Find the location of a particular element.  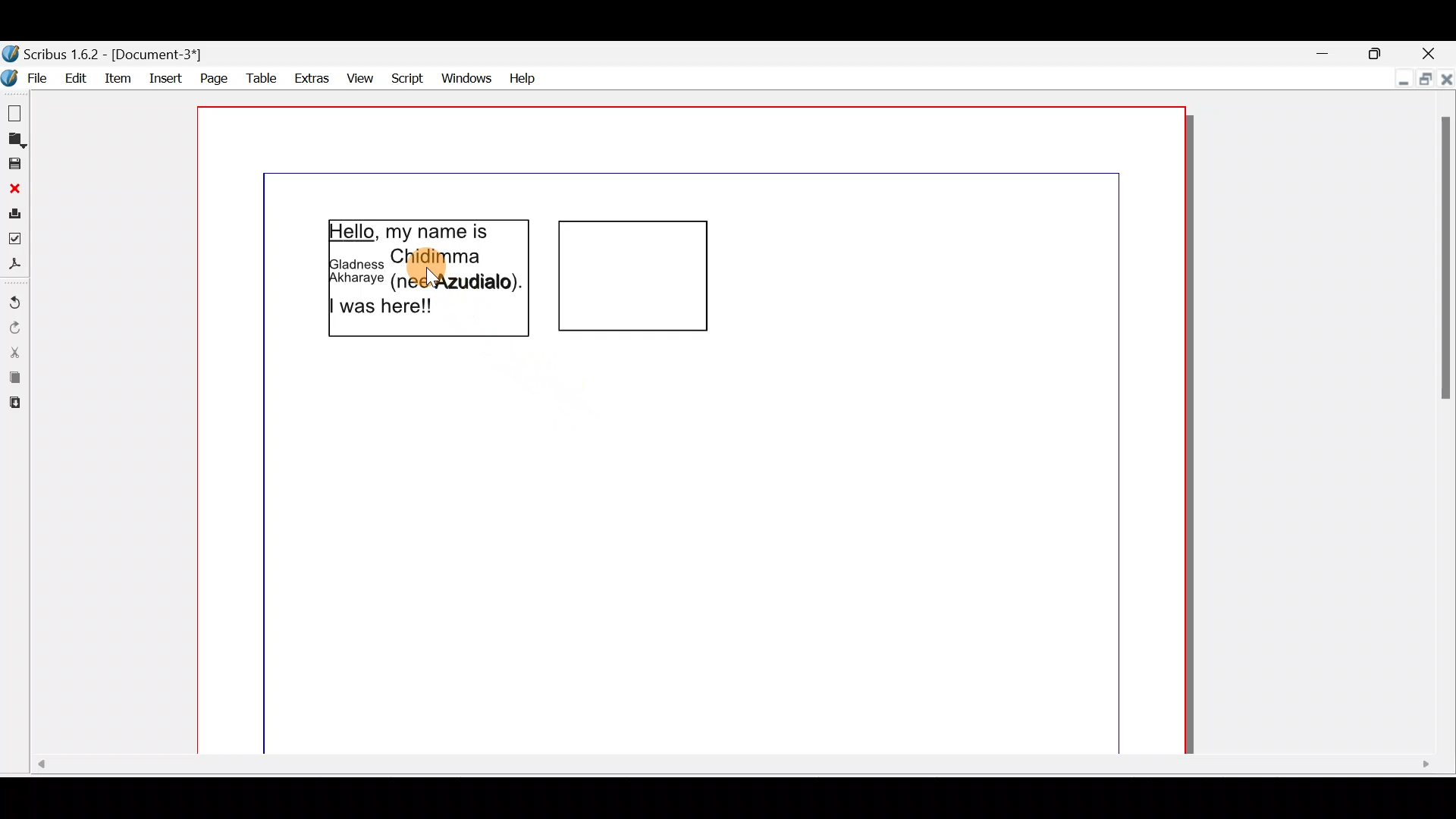

Maximise is located at coordinates (1378, 51).